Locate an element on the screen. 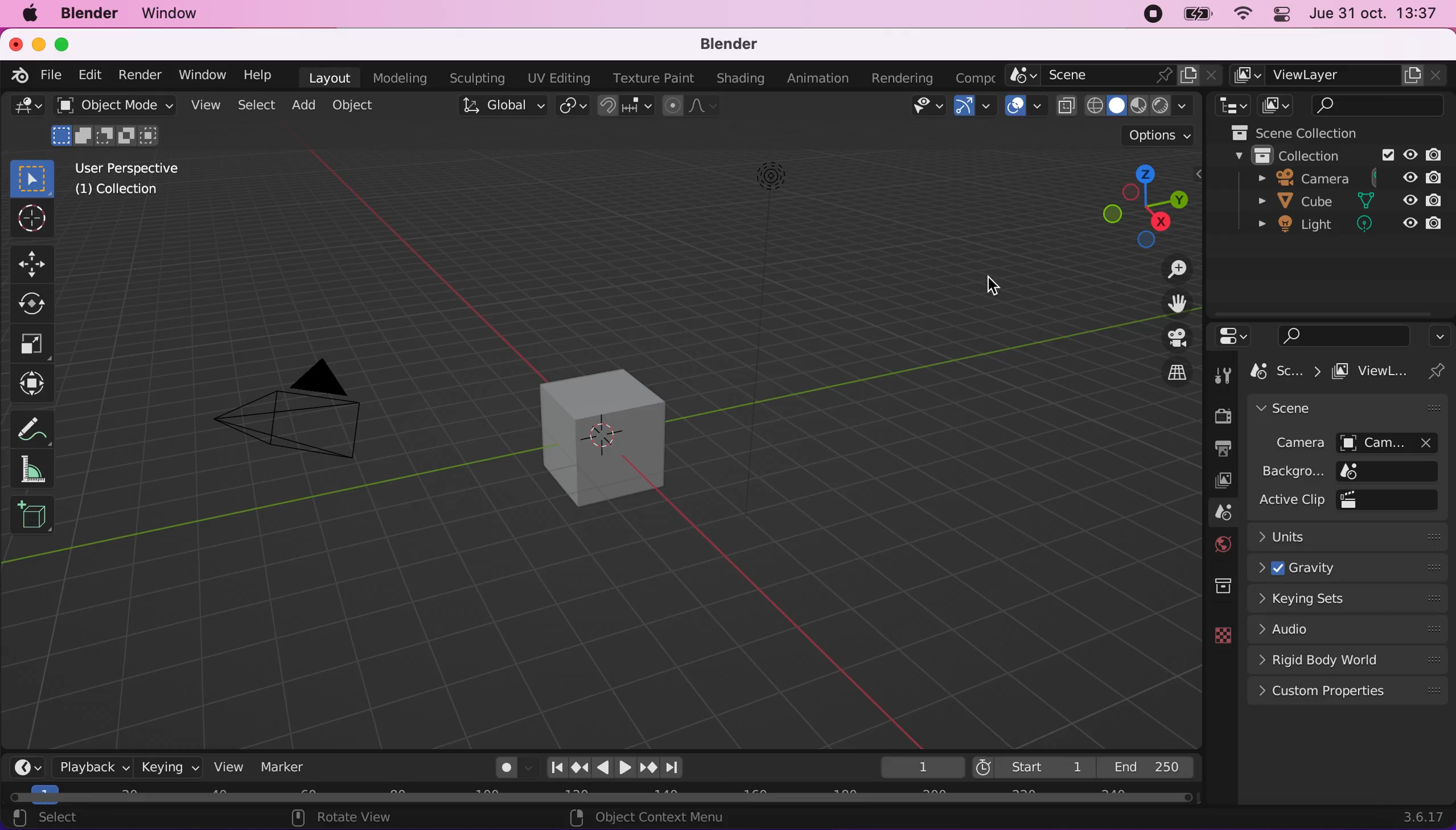 The width and height of the screenshot is (1456, 830). keying is located at coordinates (168, 766).